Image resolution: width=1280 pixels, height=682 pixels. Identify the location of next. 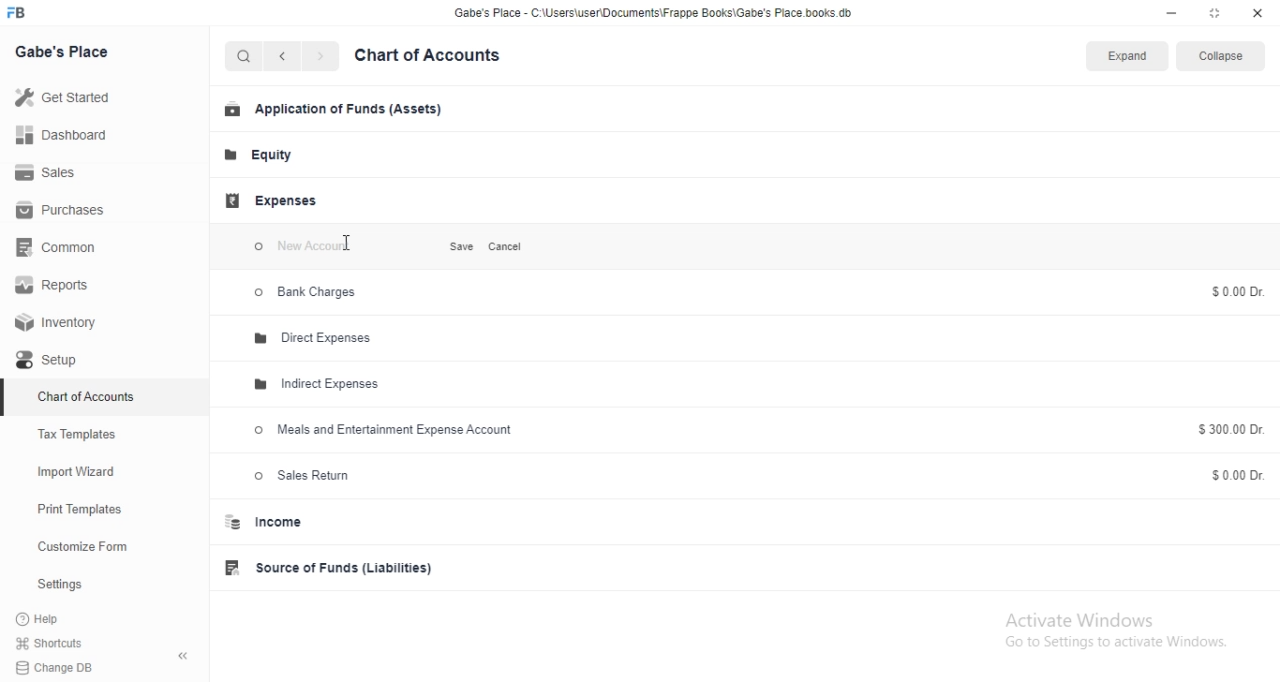
(327, 58).